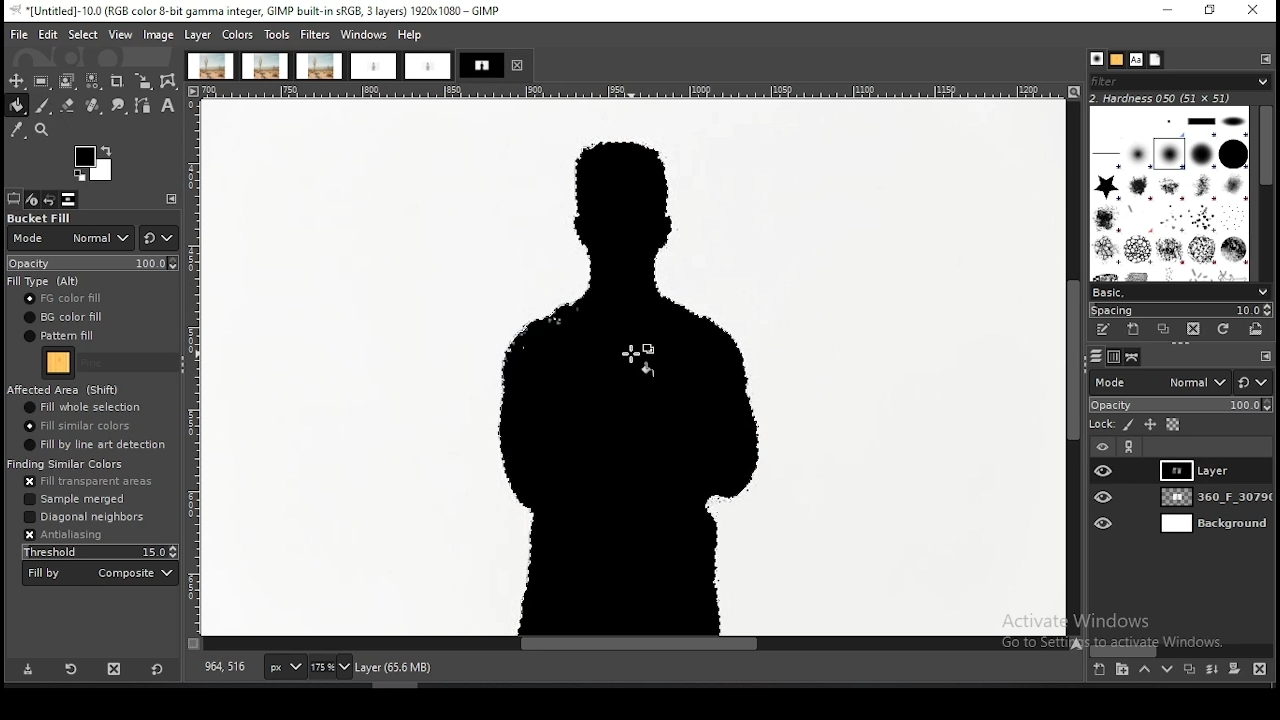 Image resolution: width=1280 pixels, height=720 pixels. What do you see at coordinates (412, 34) in the screenshot?
I see `help` at bounding box center [412, 34].